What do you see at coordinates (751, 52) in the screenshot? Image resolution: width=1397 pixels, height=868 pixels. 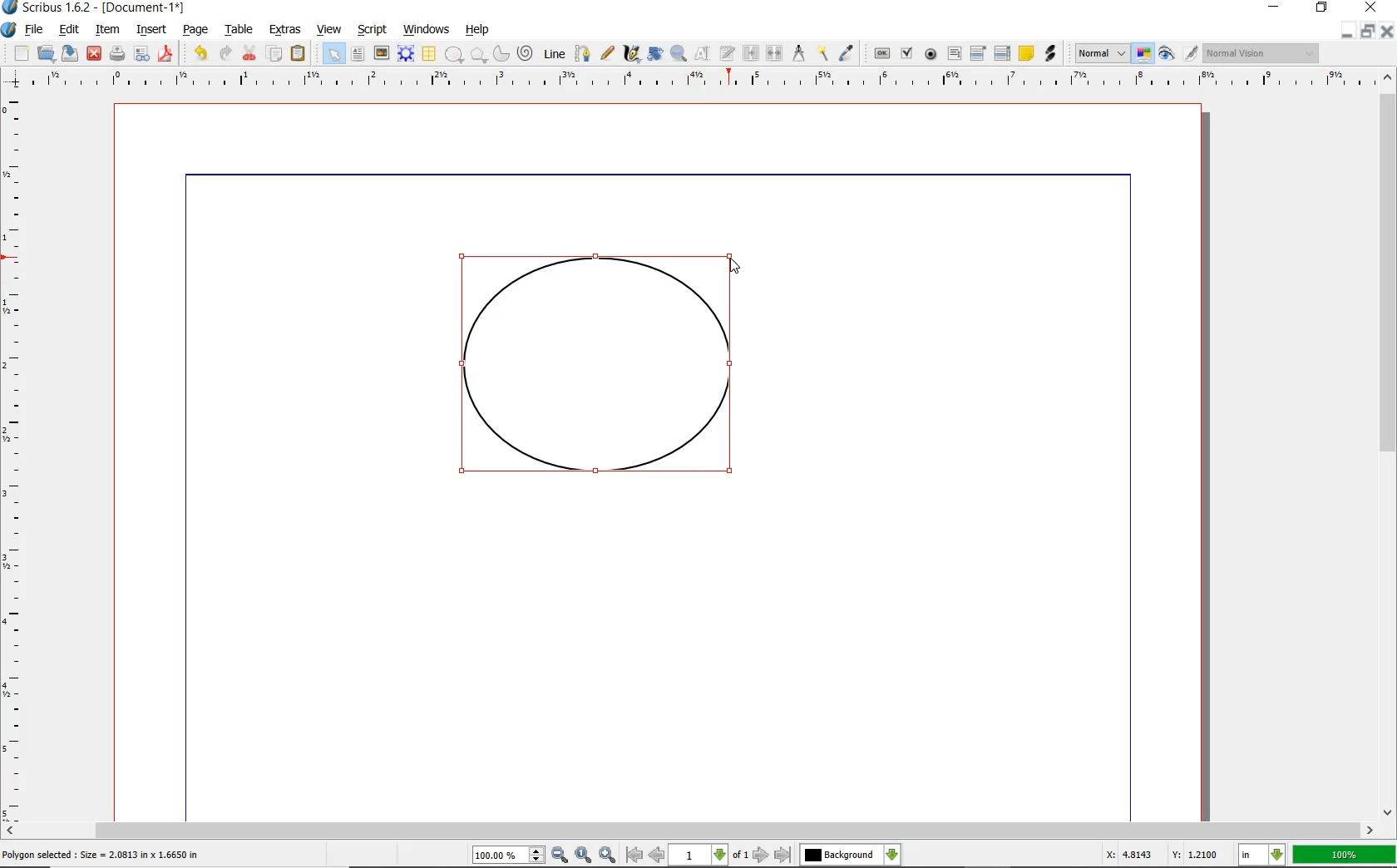 I see `LINK TEXT FRAME` at bounding box center [751, 52].